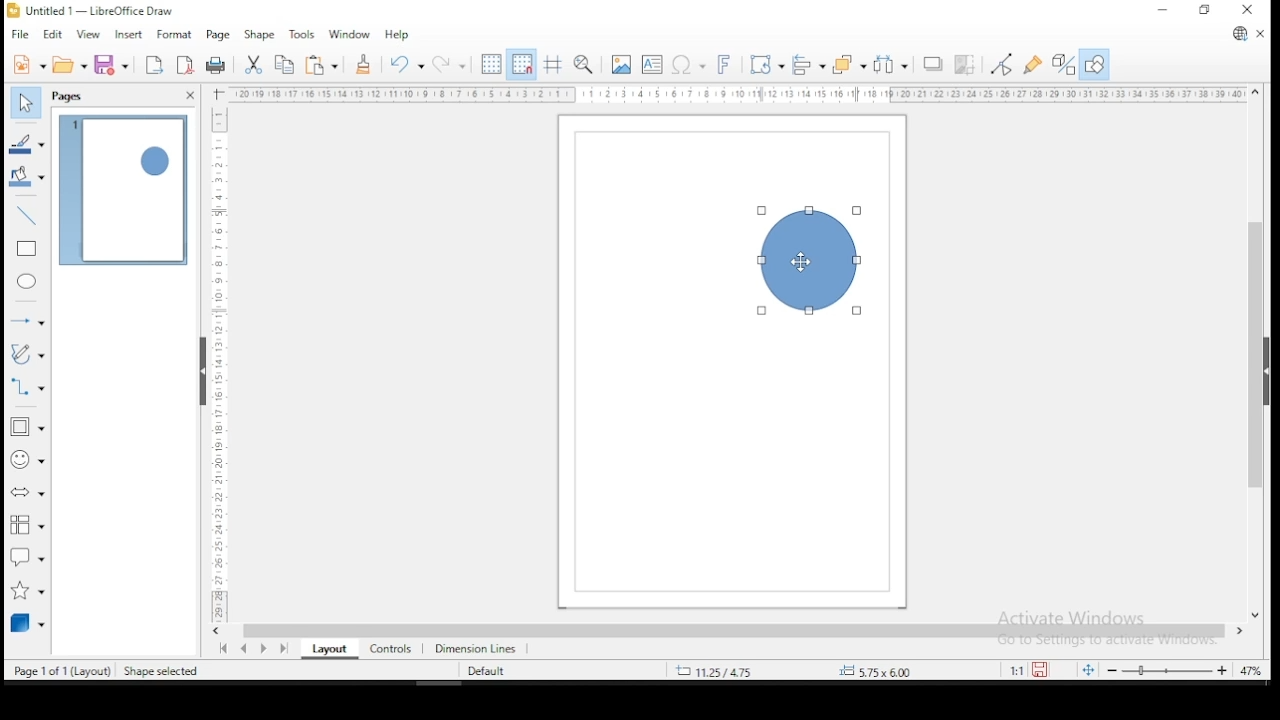  Describe the element at coordinates (486, 672) in the screenshot. I see `default` at that location.